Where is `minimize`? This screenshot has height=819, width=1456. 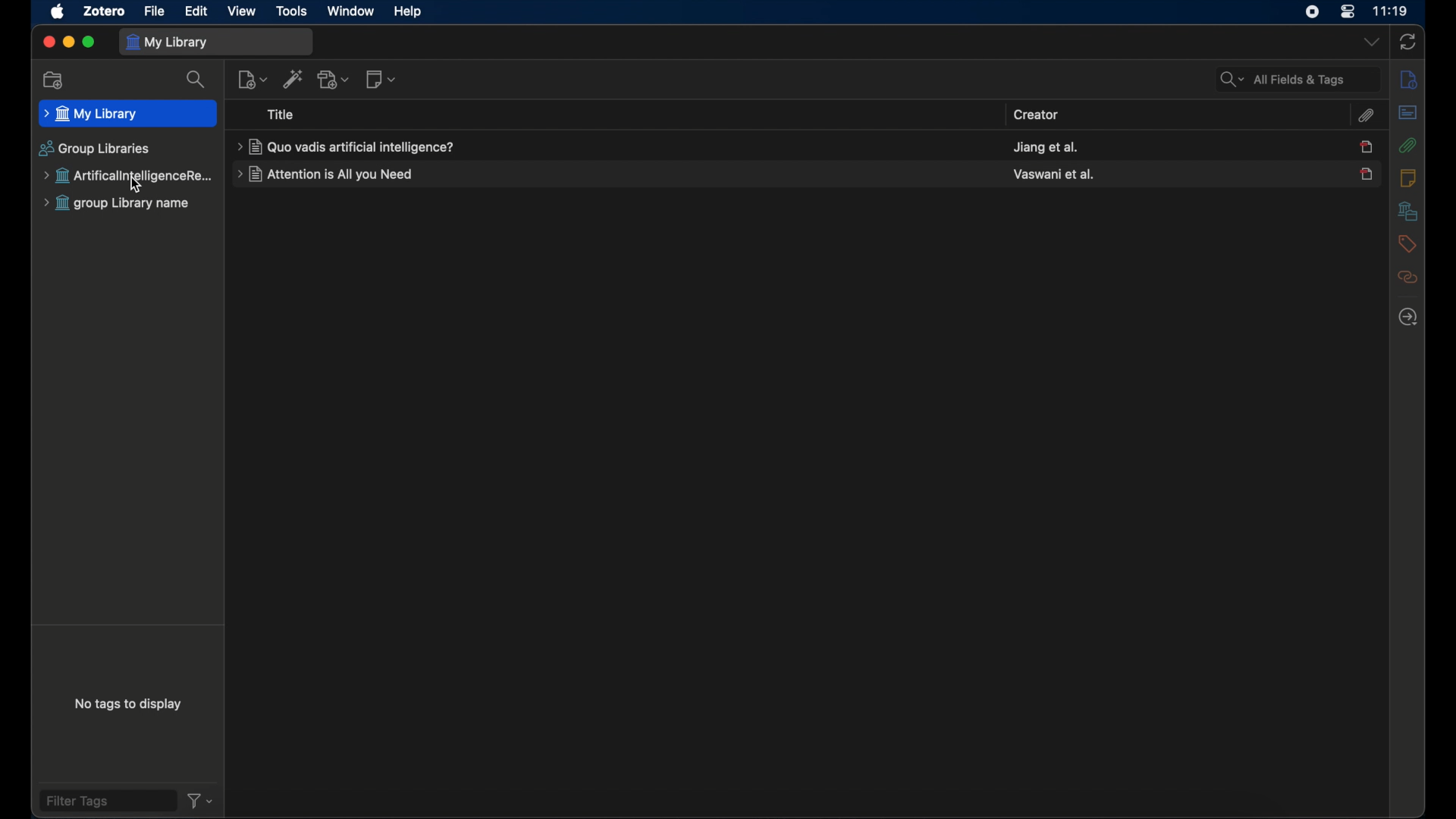
minimize is located at coordinates (67, 42).